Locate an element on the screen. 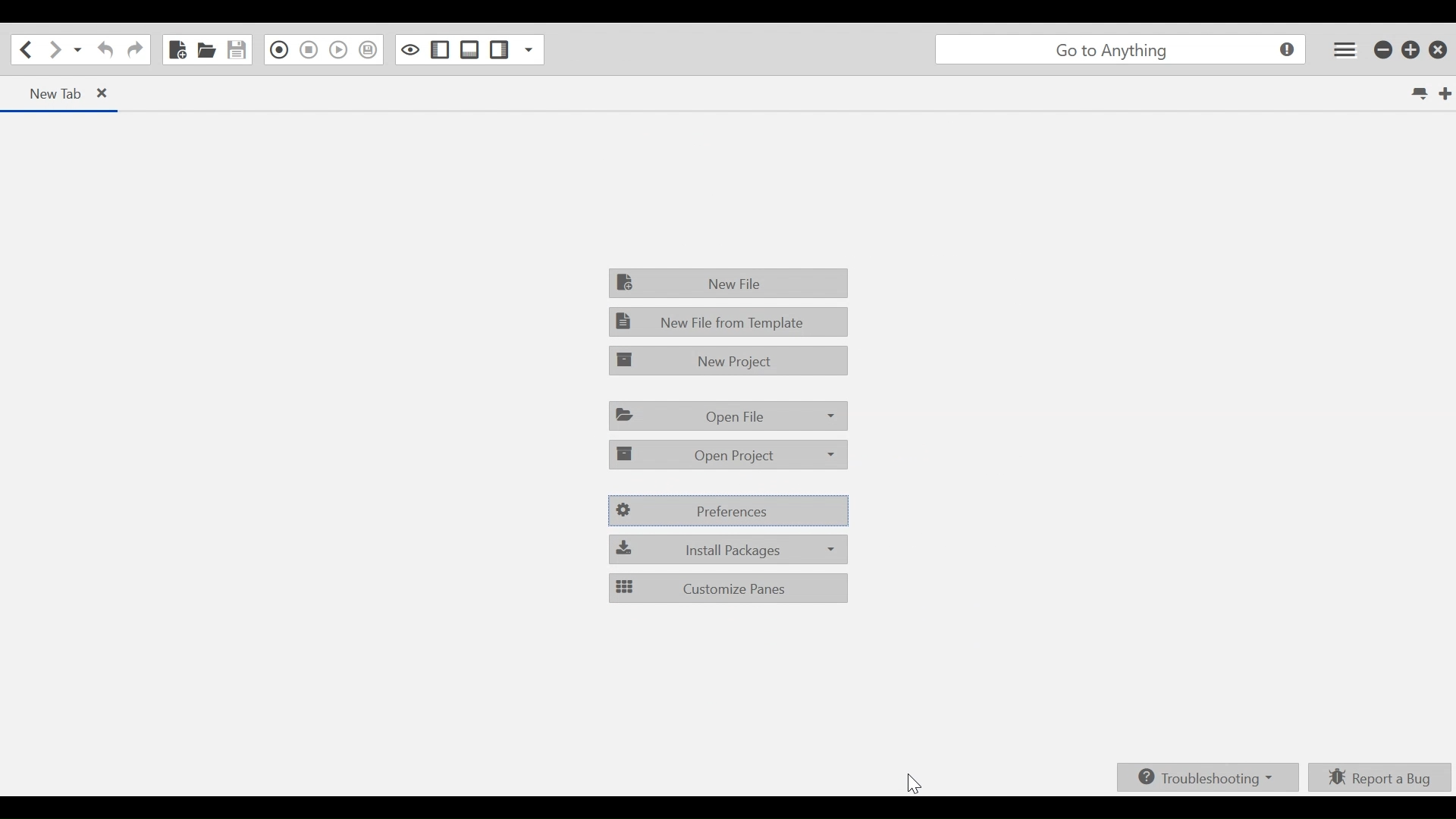  Open File is located at coordinates (206, 50).